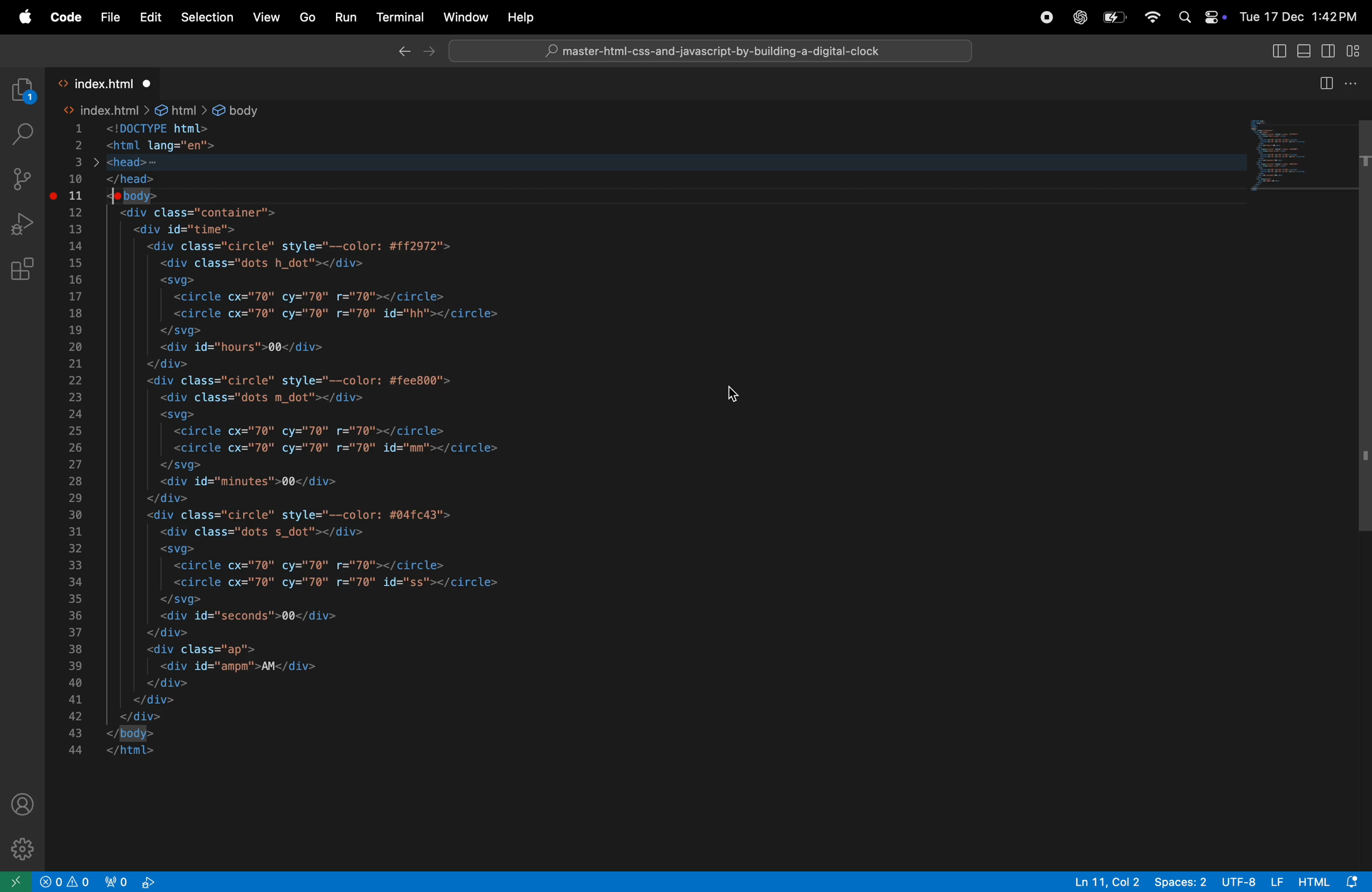 This screenshot has height=892, width=1372. What do you see at coordinates (1304, 50) in the screenshot?
I see `view` at bounding box center [1304, 50].